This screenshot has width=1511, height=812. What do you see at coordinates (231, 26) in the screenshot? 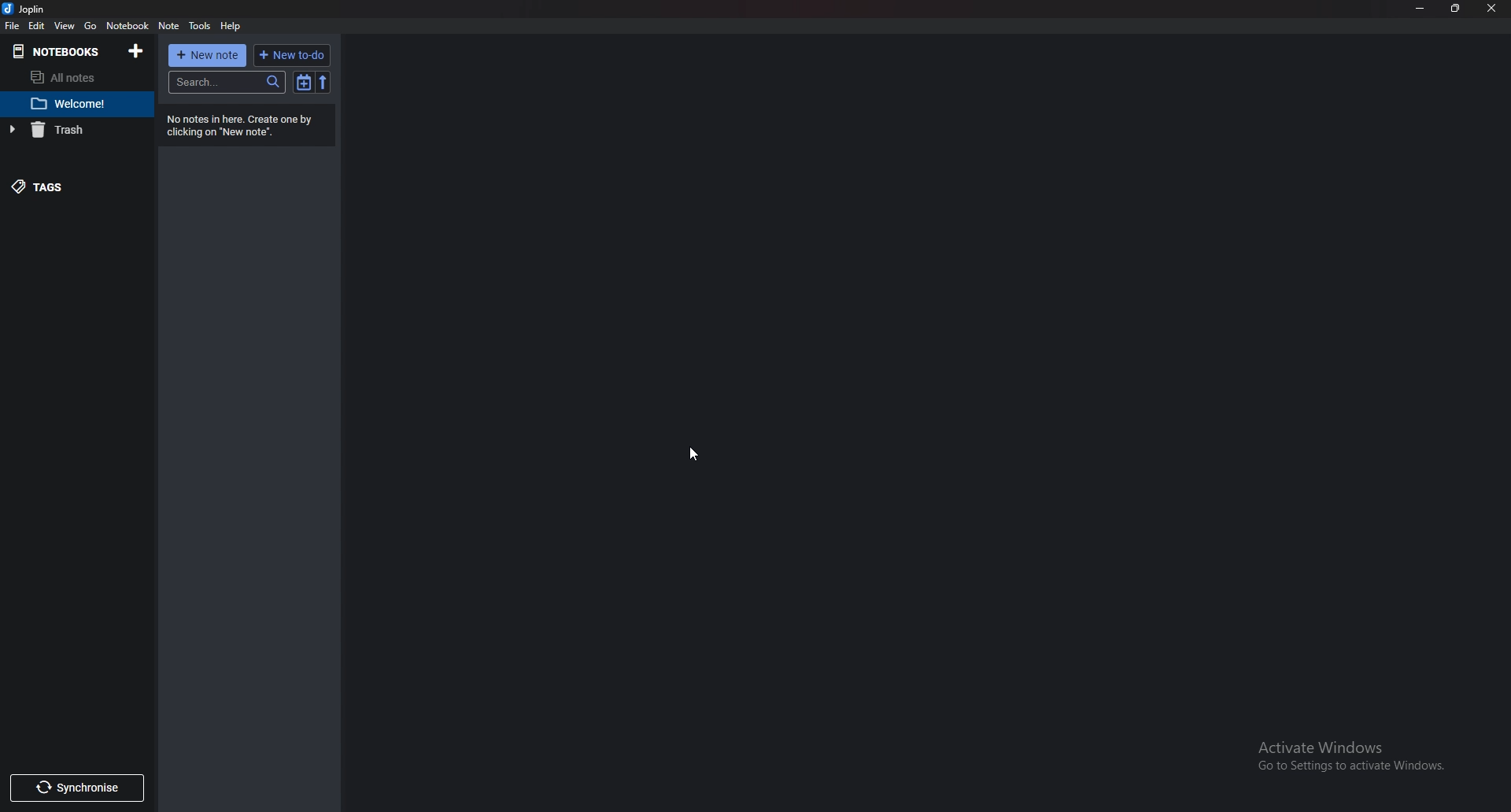
I see `help` at bounding box center [231, 26].